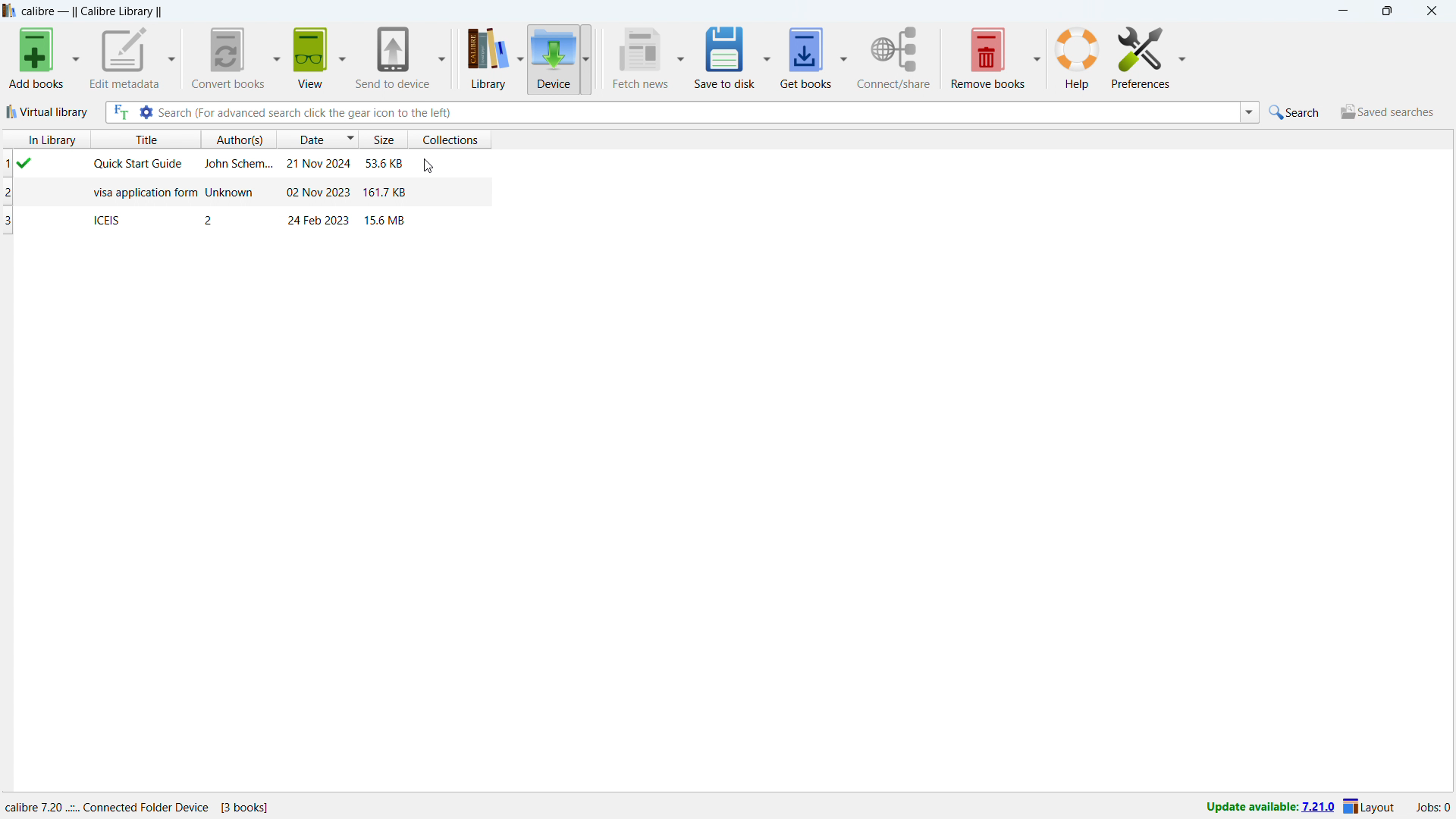 The height and width of the screenshot is (819, 1456). What do you see at coordinates (430, 168) in the screenshot?
I see `cursor` at bounding box center [430, 168].